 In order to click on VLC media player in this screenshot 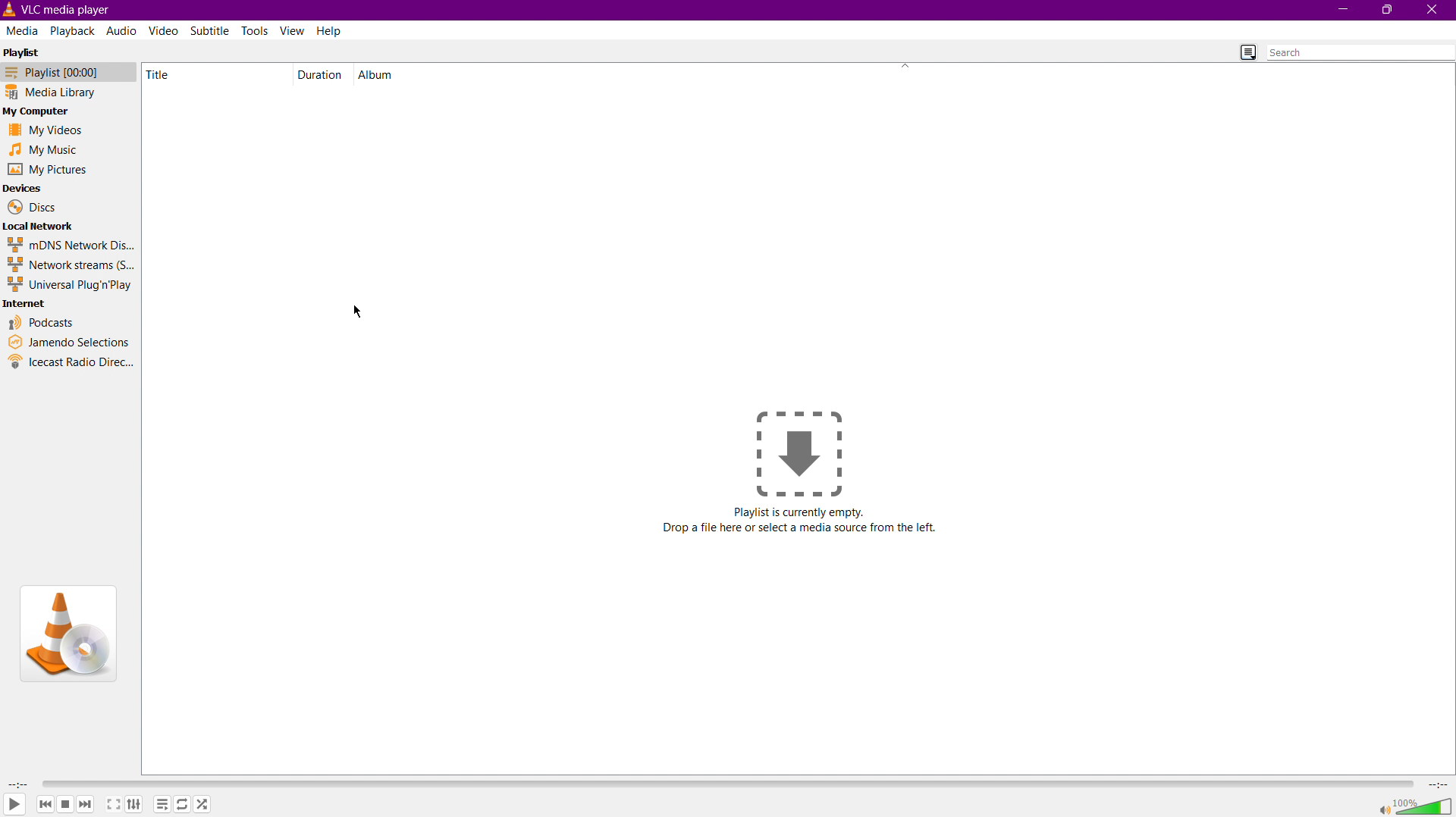, I will do `click(63, 10)`.